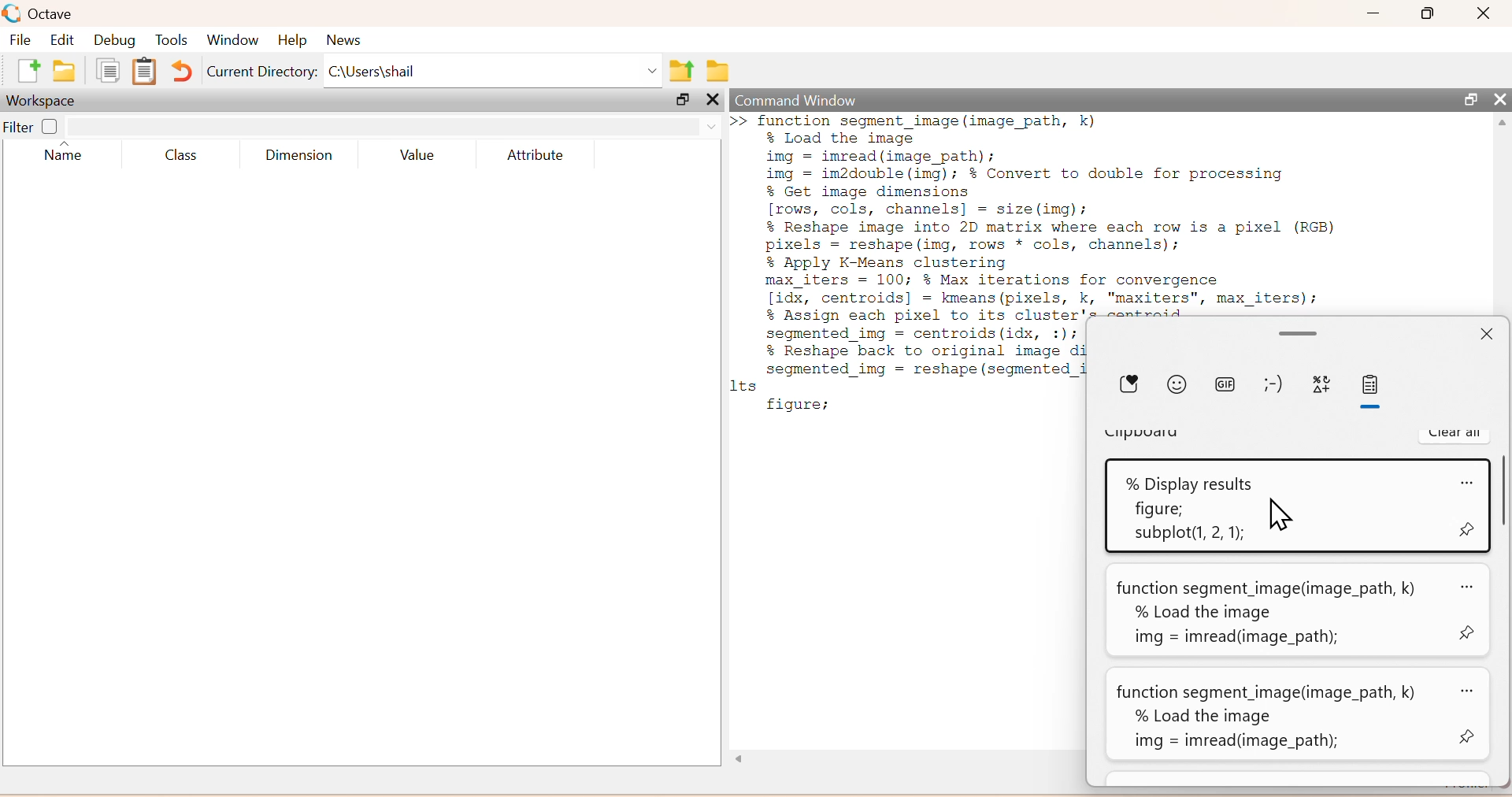 This screenshot has height=797, width=1512. Describe the element at coordinates (1280, 383) in the screenshot. I see `emoji` at that location.